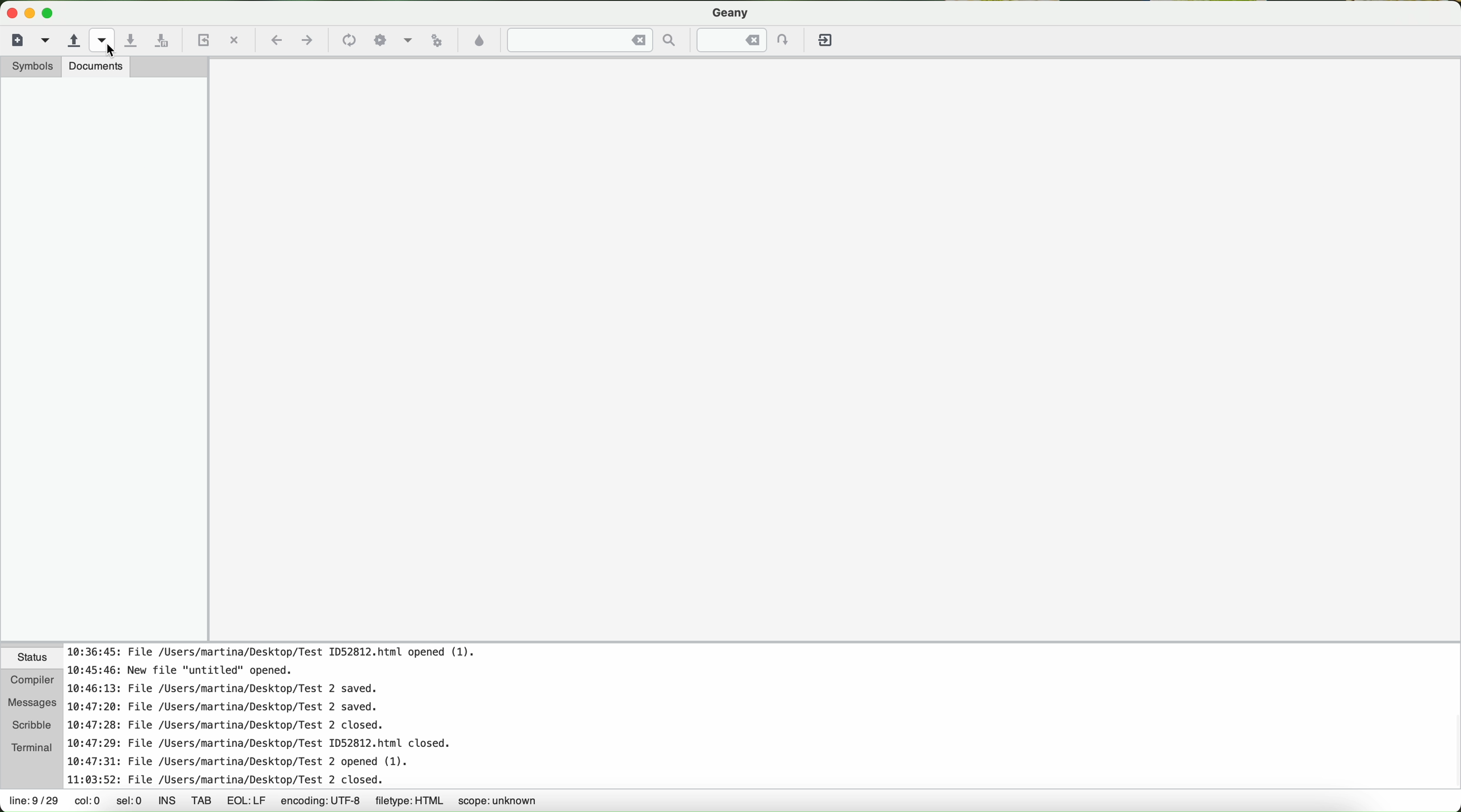 The width and height of the screenshot is (1461, 812). Describe the element at coordinates (48, 42) in the screenshot. I see `create a new file from a template` at that location.